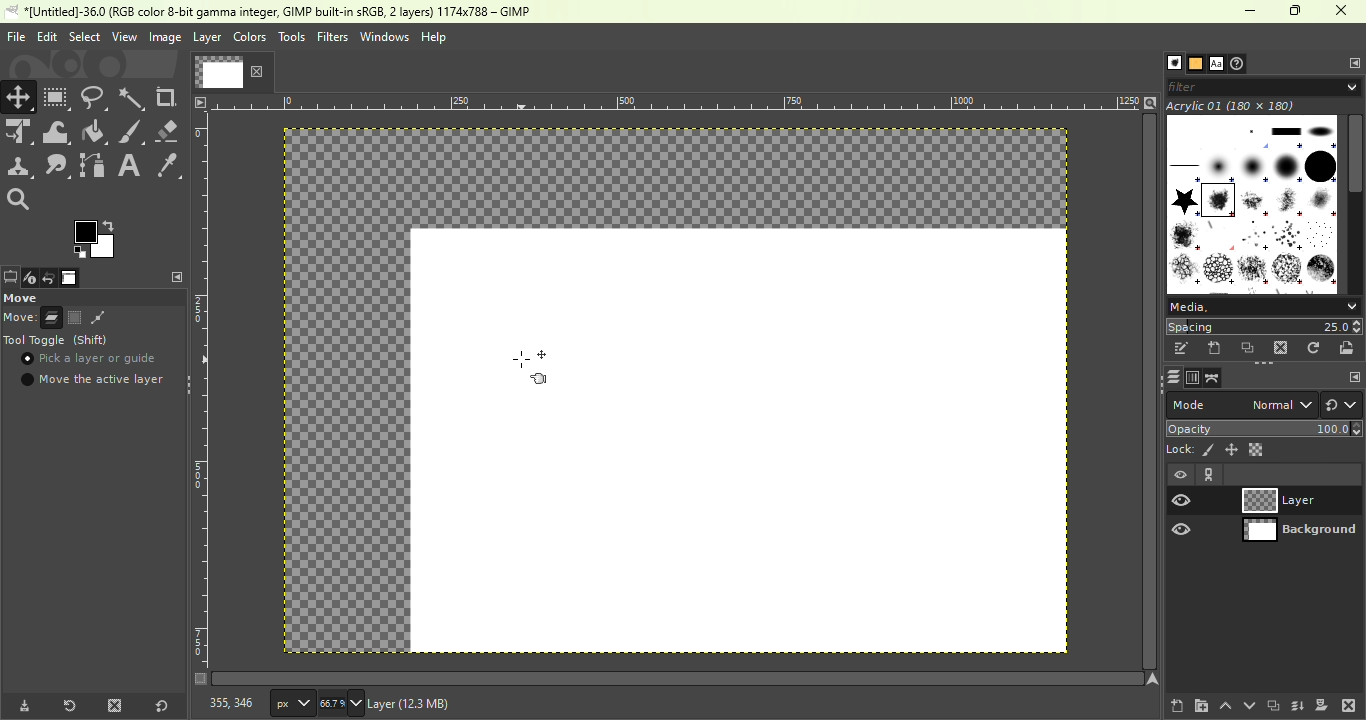  What do you see at coordinates (134, 97) in the screenshot?
I see `Fuzzy select tool` at bounding box center [134, 97].